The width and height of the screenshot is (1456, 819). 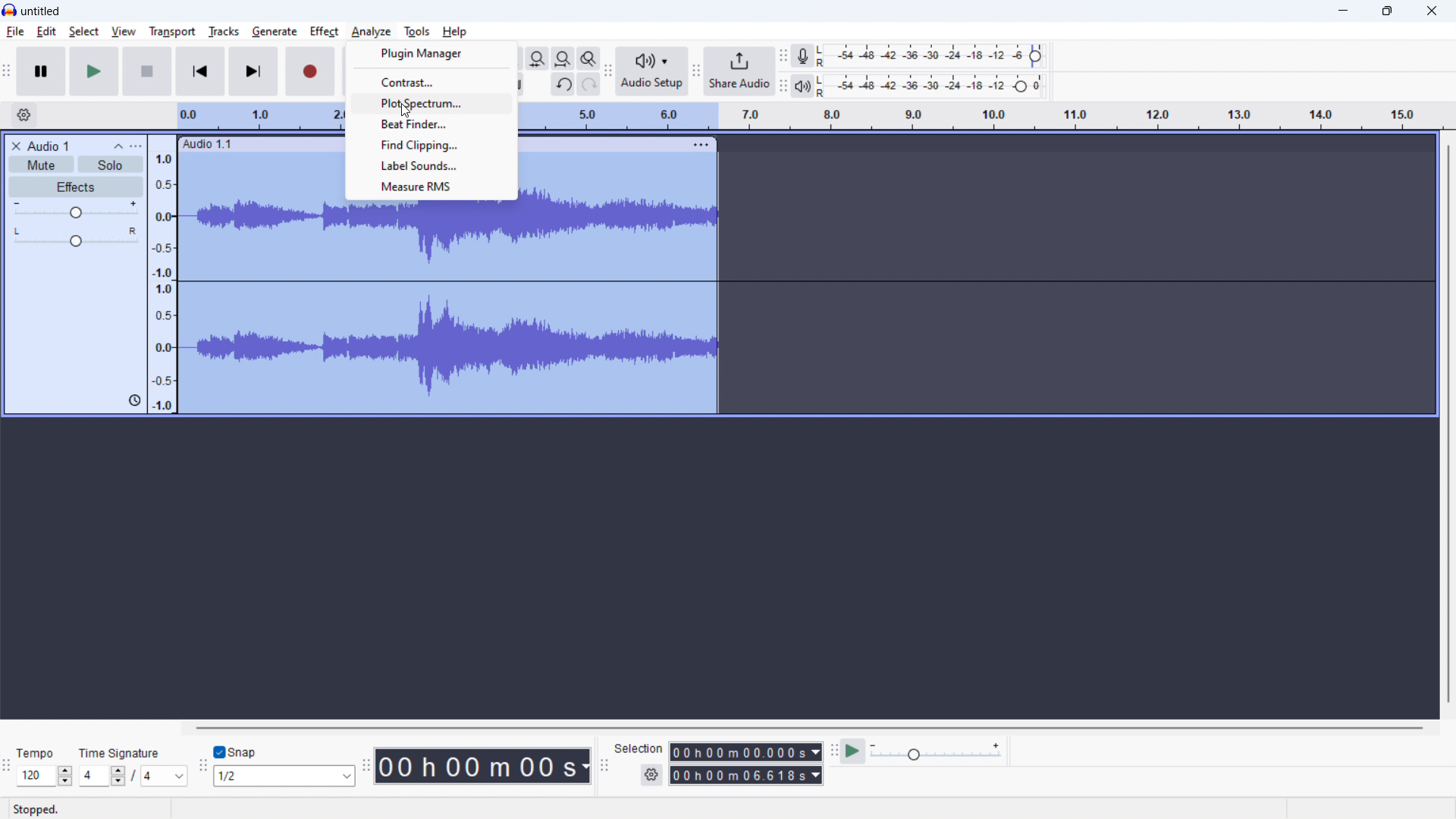 I want to click on track title, so click(x=49, y=146).